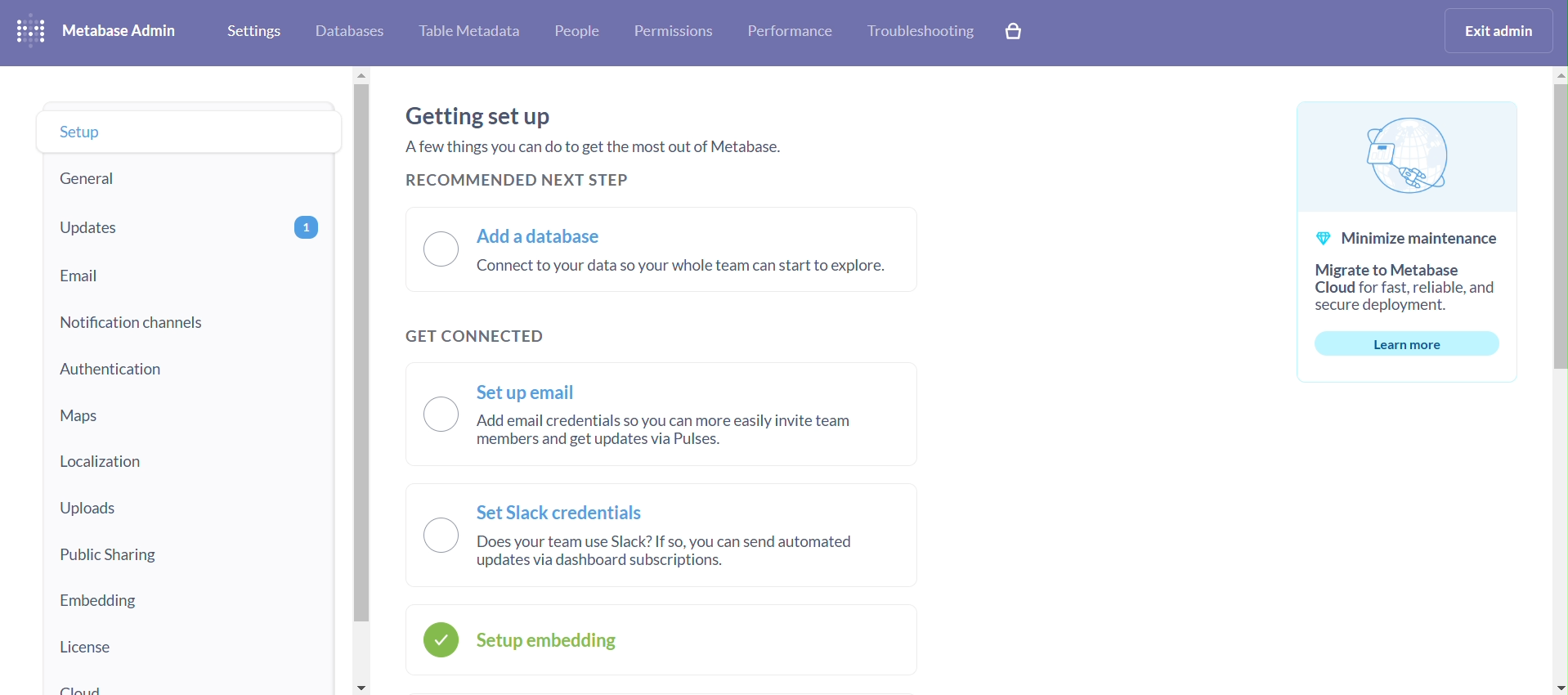 This screenshot has height=695, width=1568. What do you see at coordinates (189, 684) in the screenshot?
I see `cloud` at bounding box center [189, 684].